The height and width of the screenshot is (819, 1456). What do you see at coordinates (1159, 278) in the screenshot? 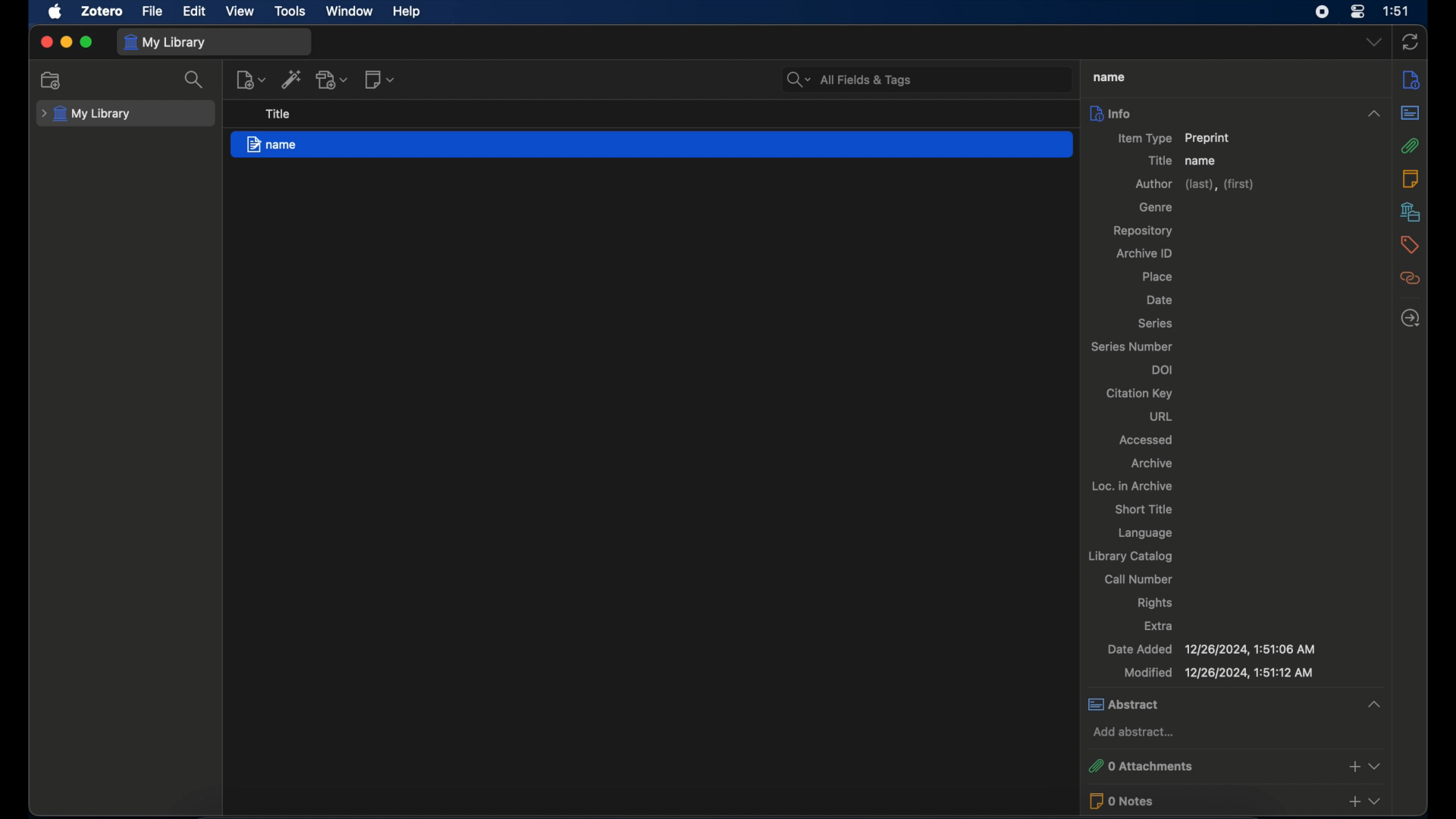
I see `palce` at bounding box center [1159, 278].